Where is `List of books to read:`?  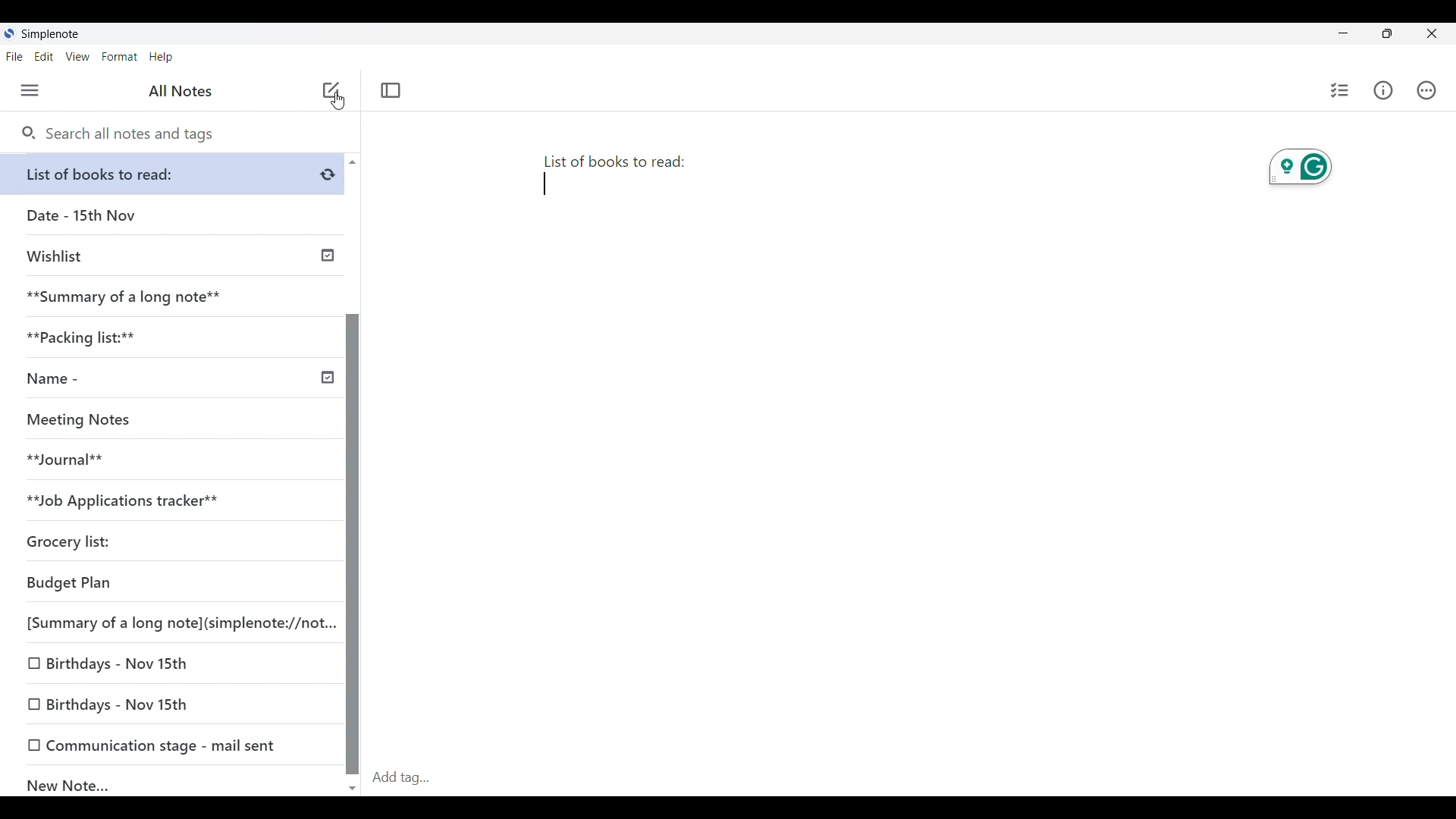
List of books to read: is located at coordinates (176, 174).